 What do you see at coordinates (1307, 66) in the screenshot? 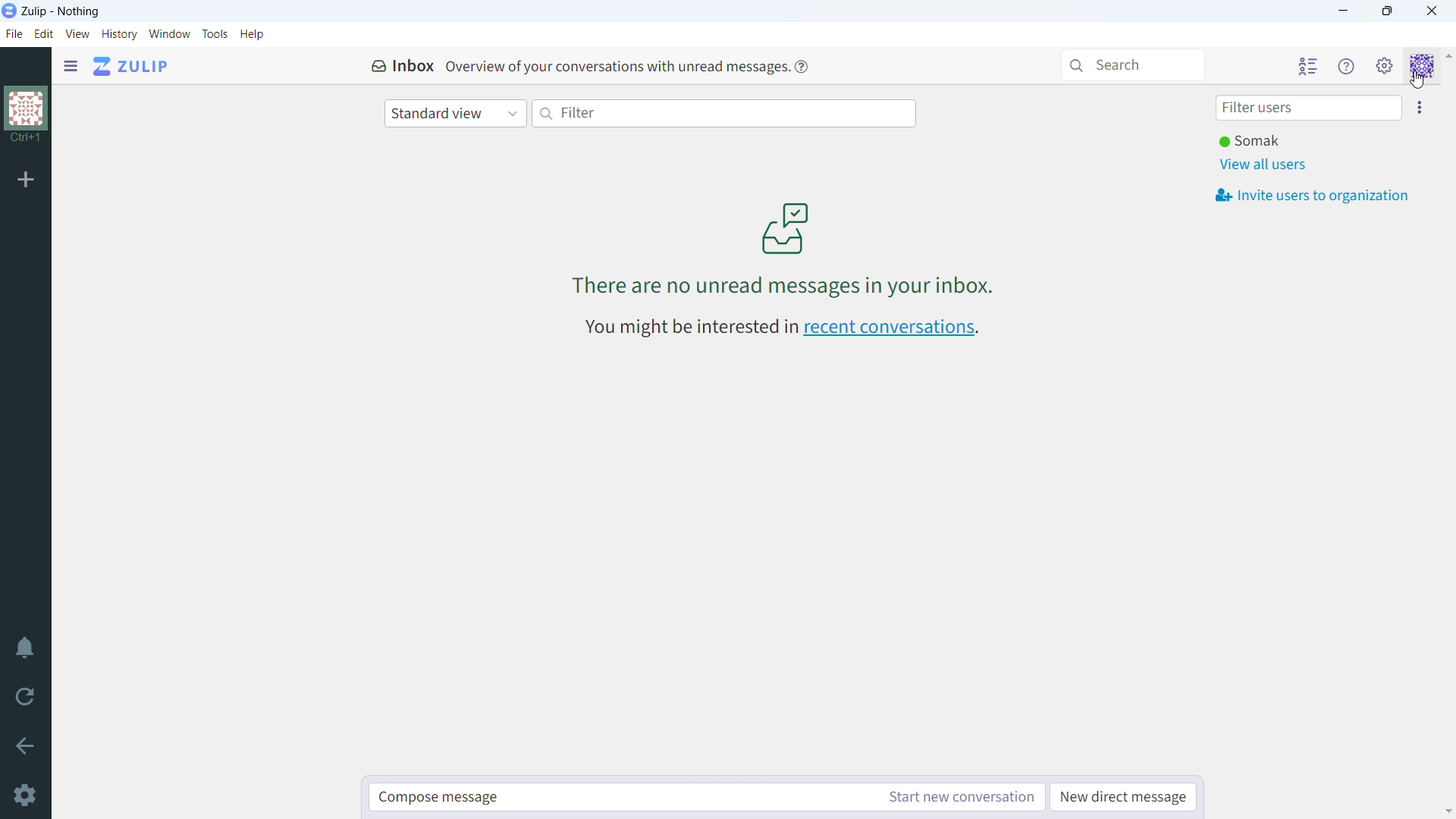
I see `hide all users` at bounding box center [1307, 66].